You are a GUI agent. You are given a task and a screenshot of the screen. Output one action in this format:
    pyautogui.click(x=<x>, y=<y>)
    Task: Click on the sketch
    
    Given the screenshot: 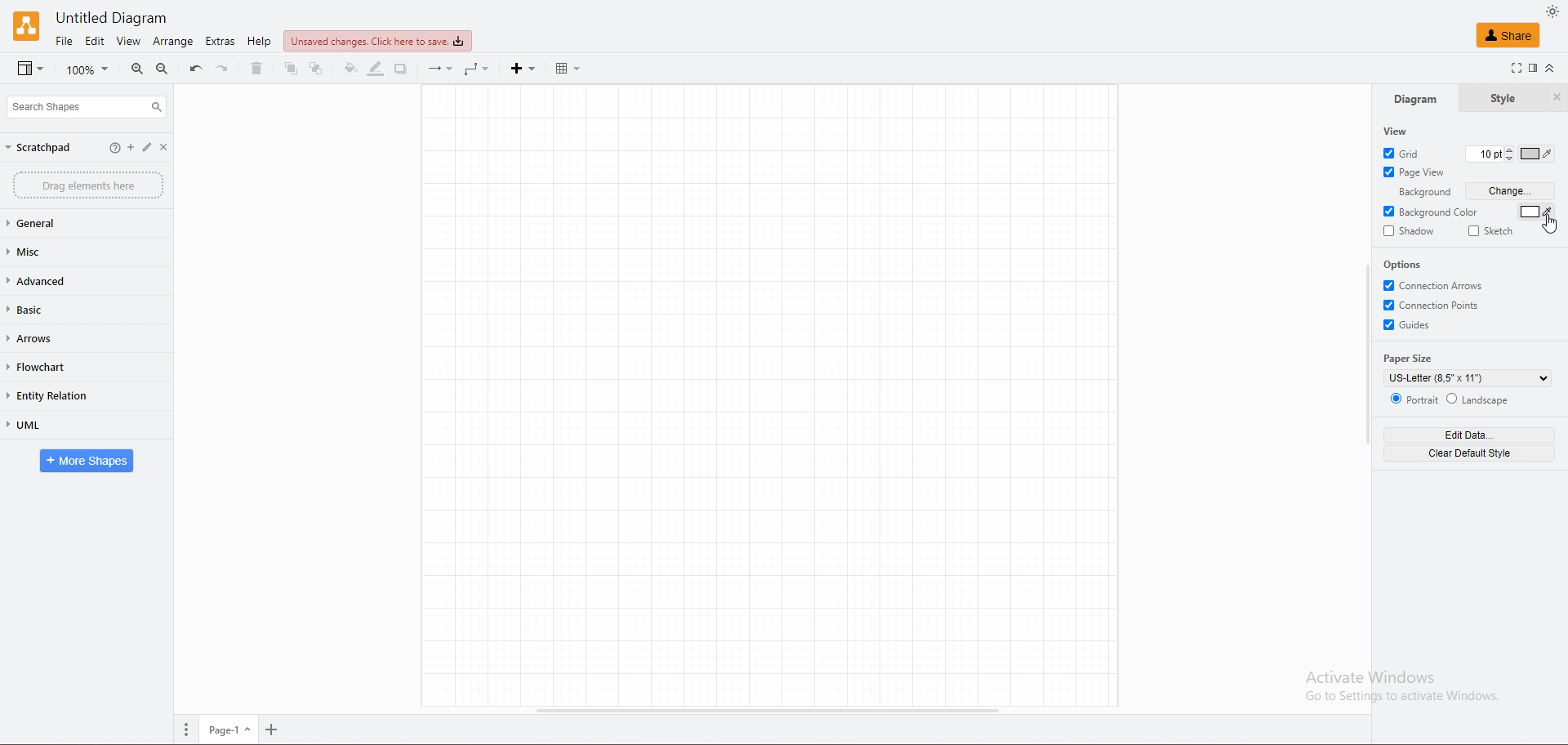 What is the action you would take?
    pyautogui.click(x=1495, y=230)
    